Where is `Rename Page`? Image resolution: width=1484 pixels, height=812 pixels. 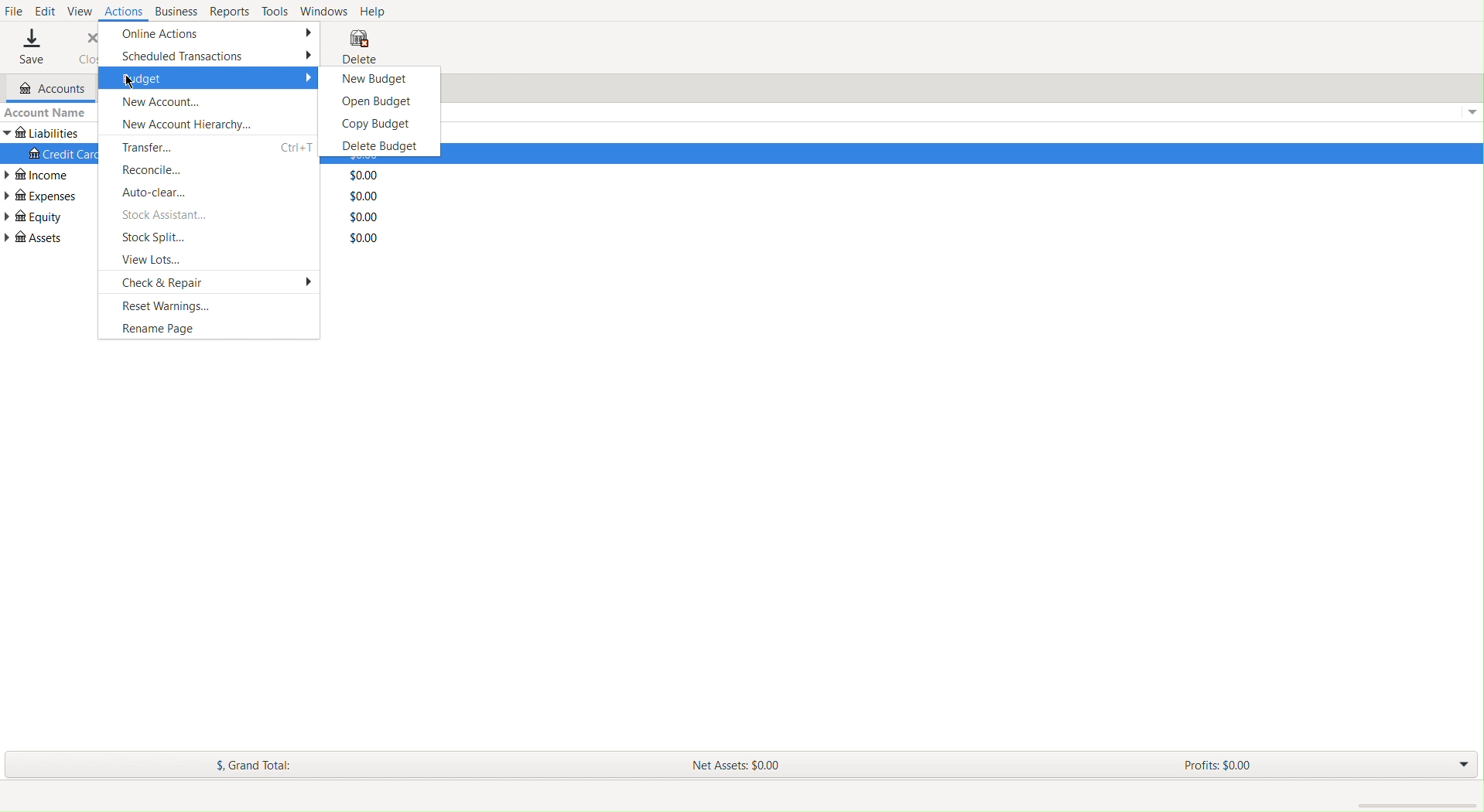
Rename Page is located at coordinates (156, 329).